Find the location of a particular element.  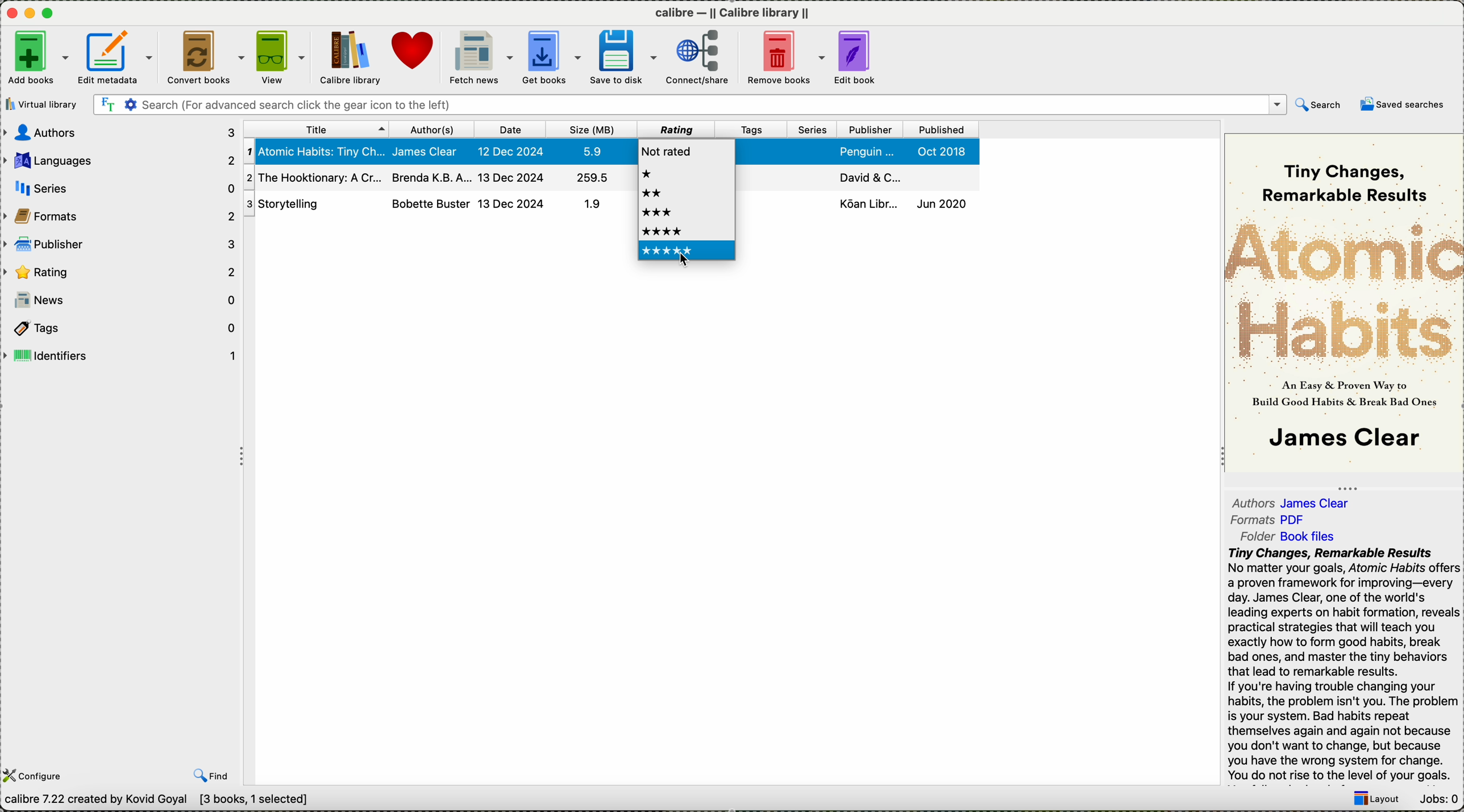

folder book files is located at coordinates (1250, 536).